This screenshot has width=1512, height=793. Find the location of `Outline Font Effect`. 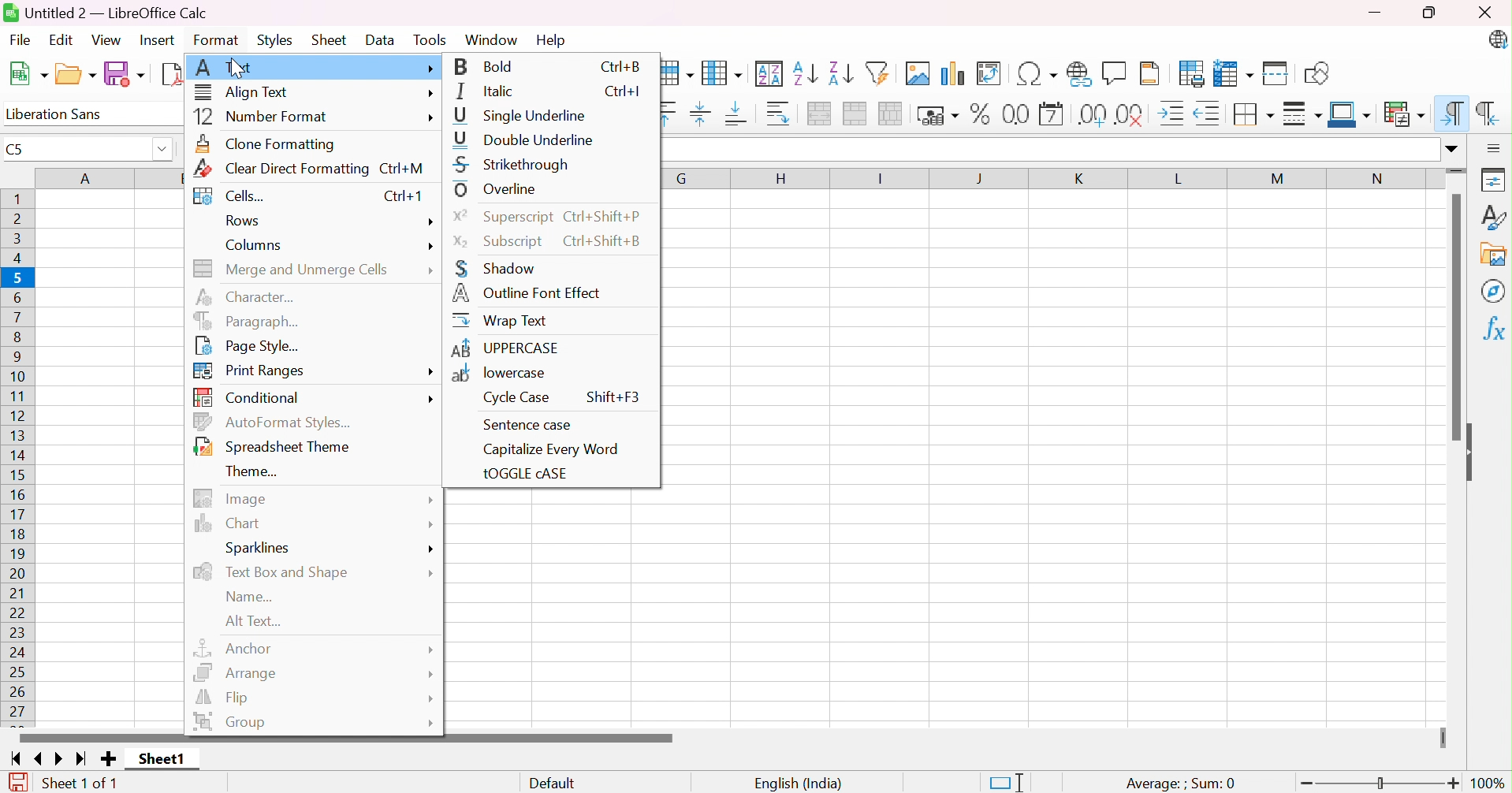

Outline Font Effect is located at coordinates (527, 294).